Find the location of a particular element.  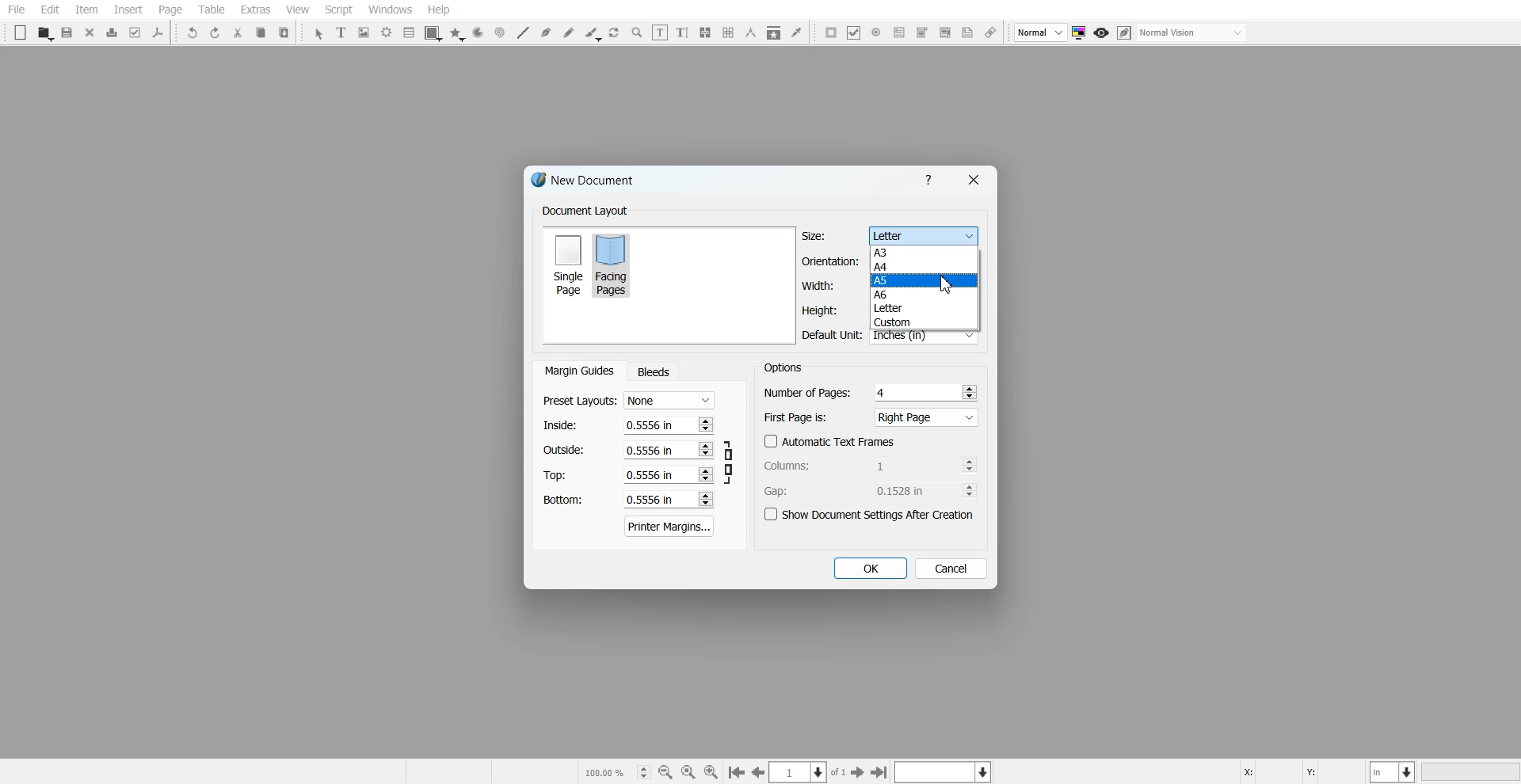

Copy Item Properties is located at coordinates (774, 32).